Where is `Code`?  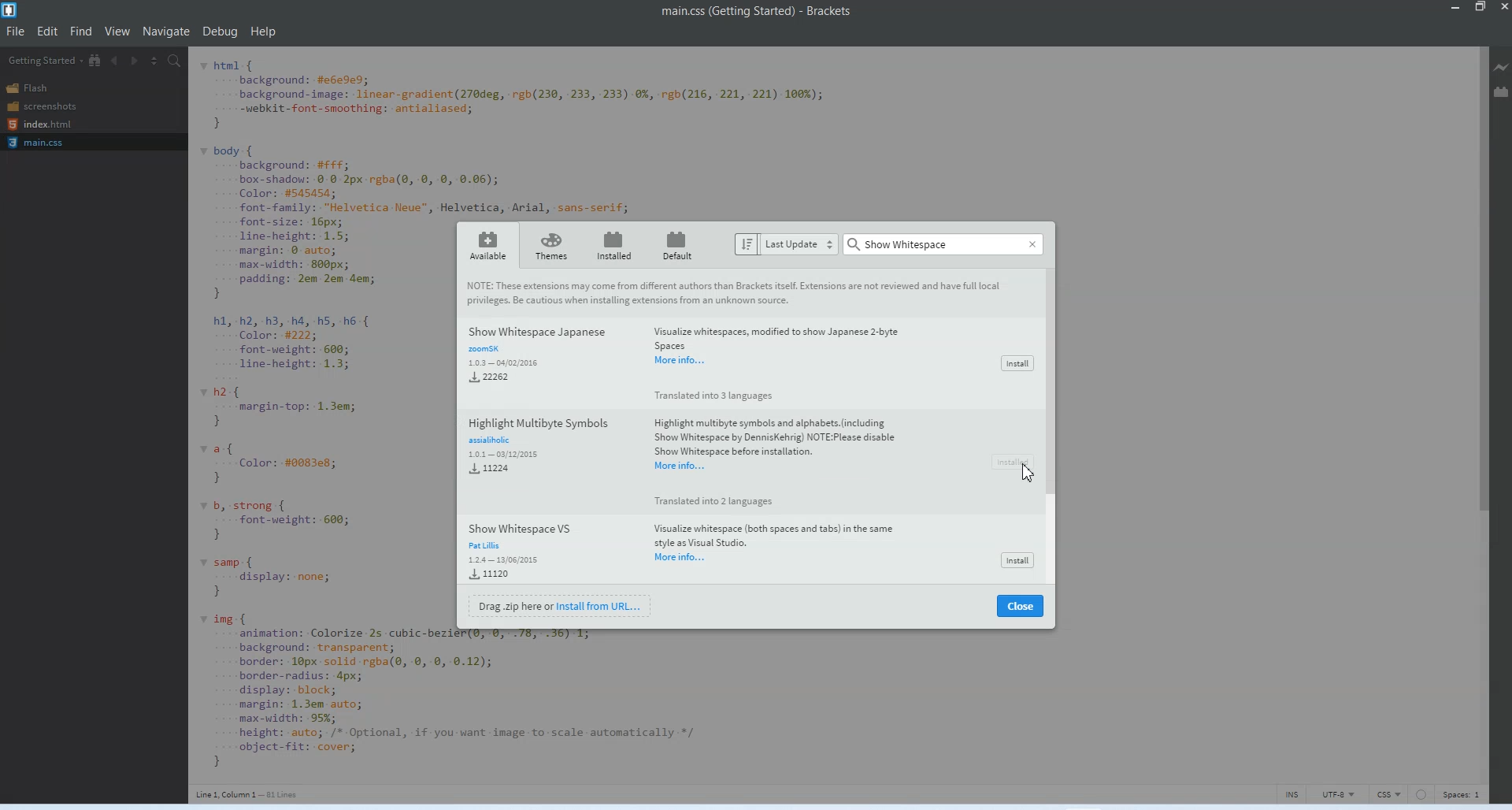
Code is located at coordinates (513, 132).